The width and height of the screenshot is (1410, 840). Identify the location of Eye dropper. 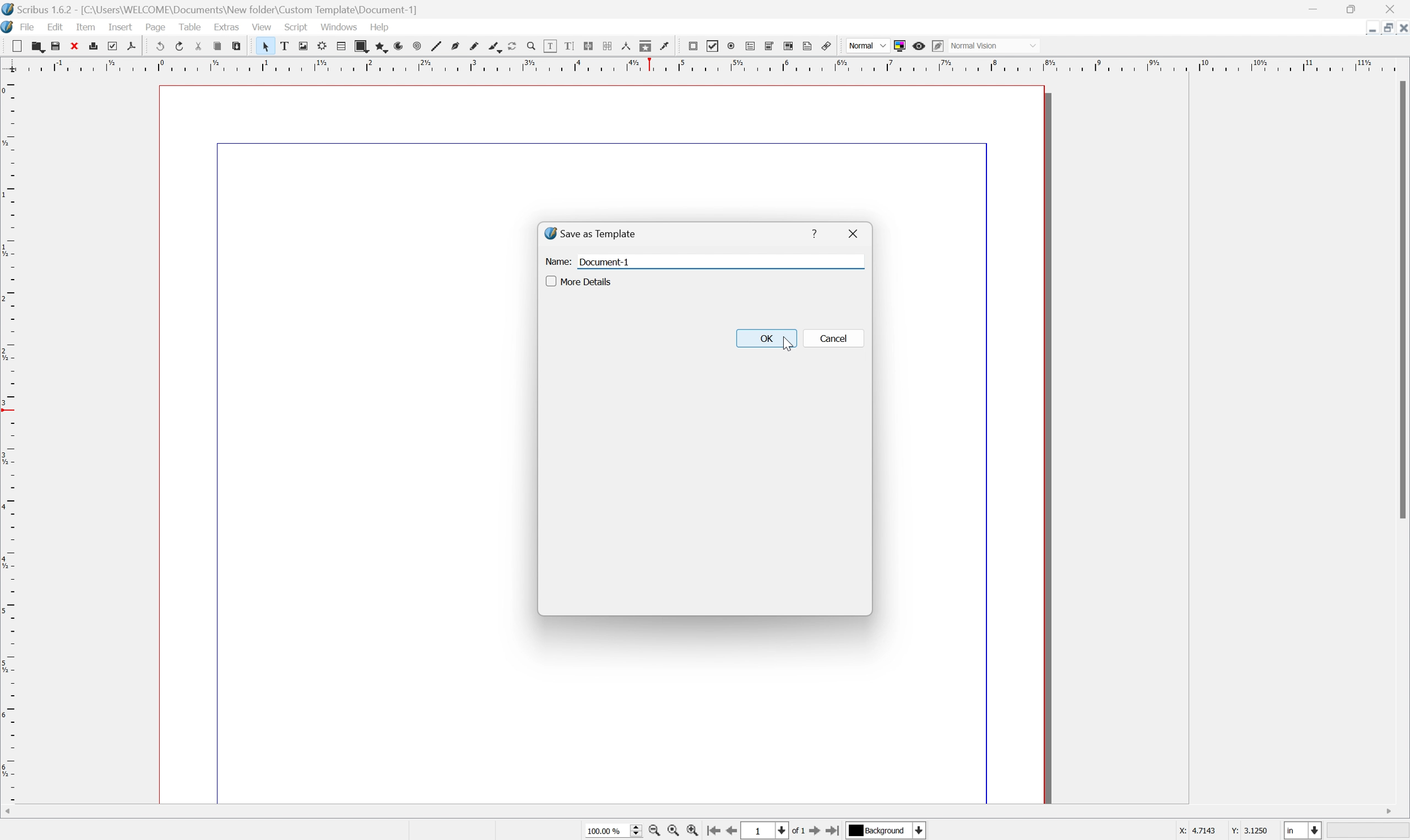
(666, 46).